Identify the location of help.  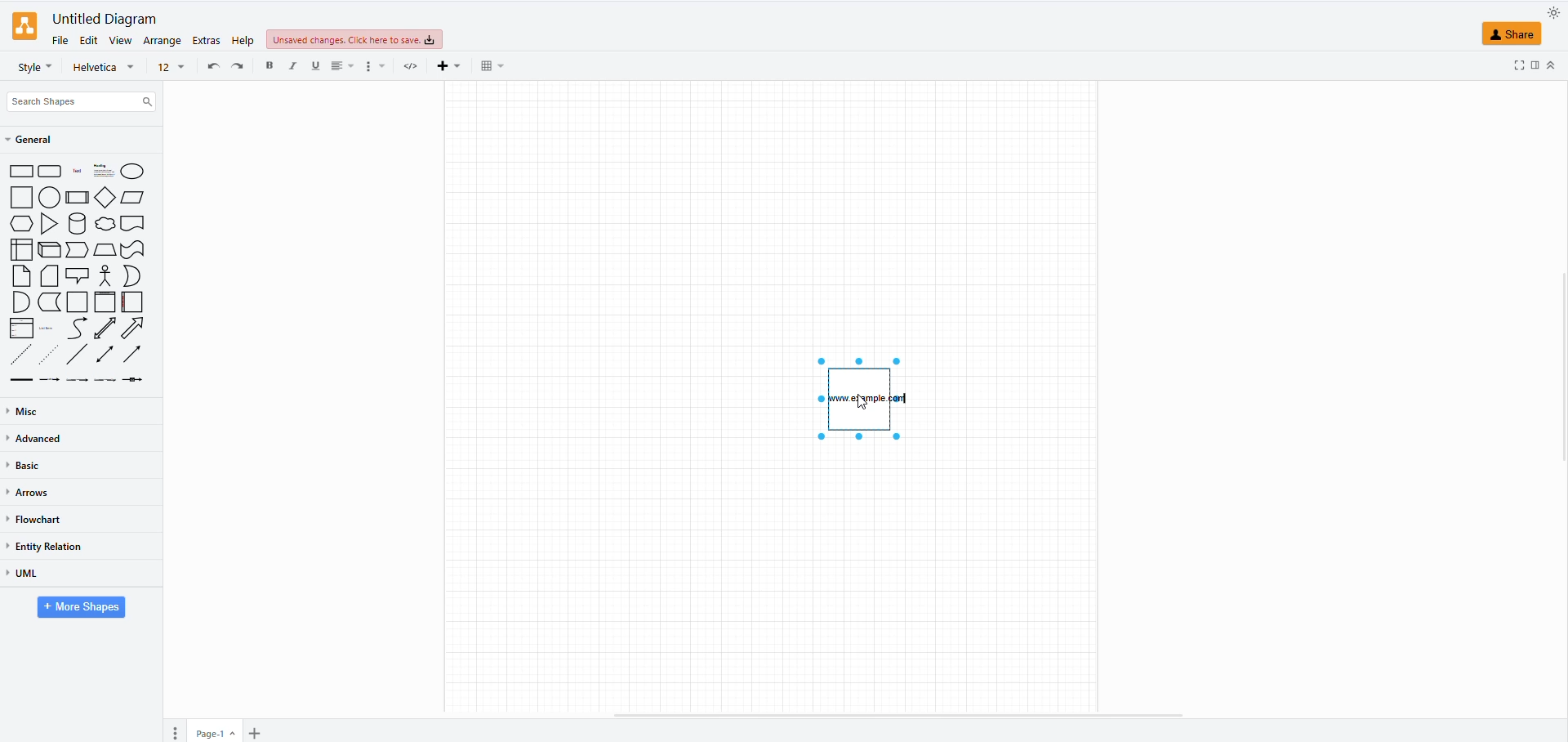
(243, 38).